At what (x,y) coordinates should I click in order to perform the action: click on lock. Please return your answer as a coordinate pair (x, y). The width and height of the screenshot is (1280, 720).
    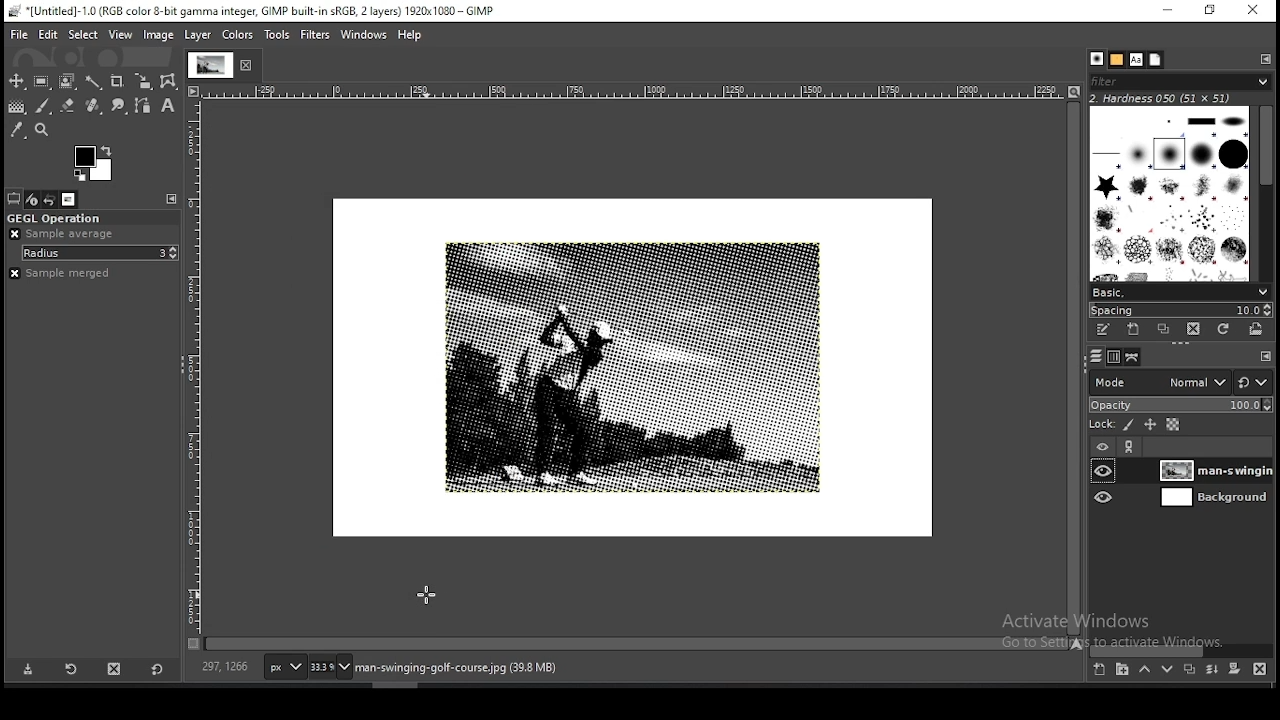
    Looking at the image, I should click on (1103, 424).